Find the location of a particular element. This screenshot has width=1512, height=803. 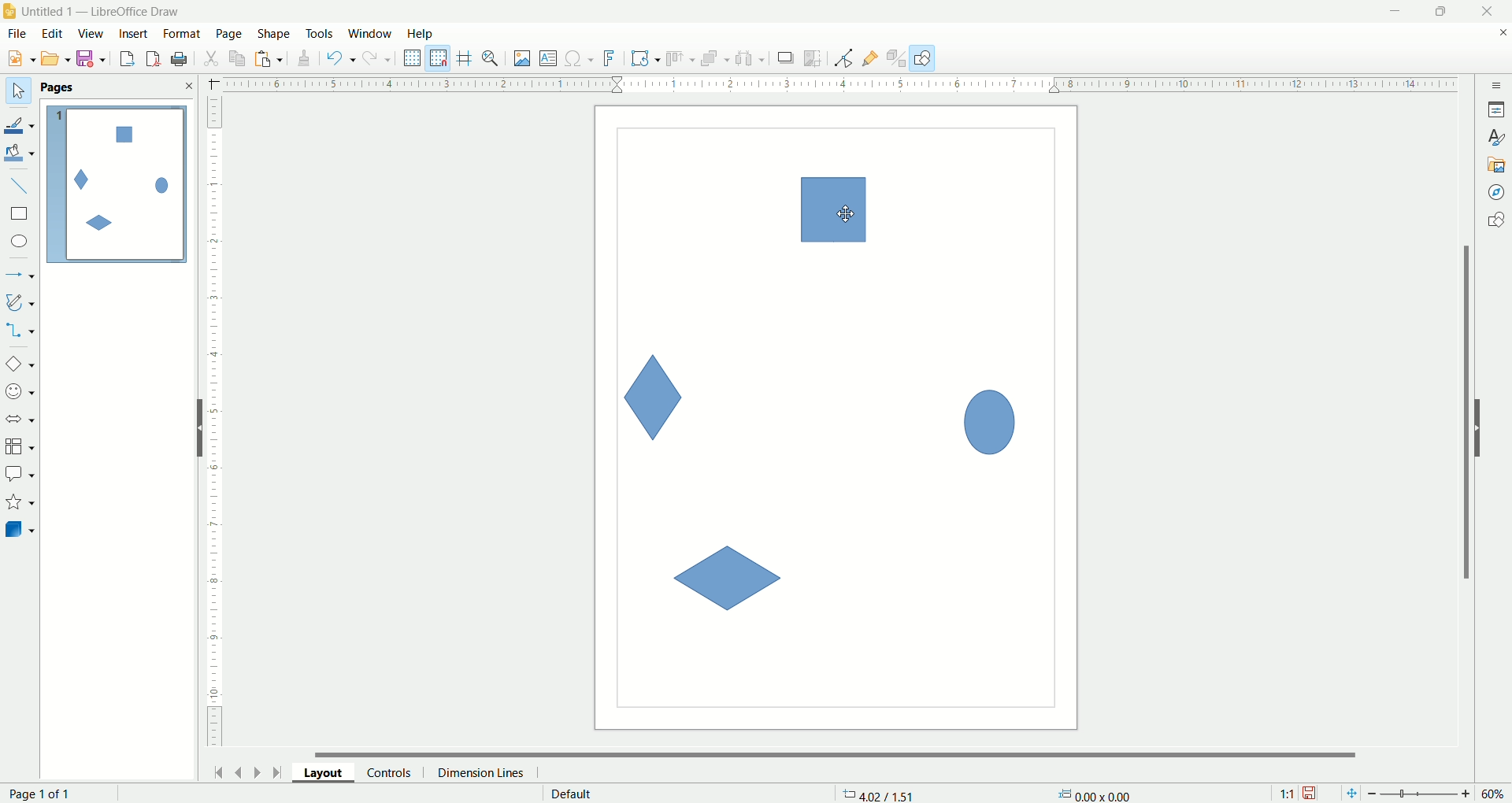

pages is located at coordinates (57, 87).